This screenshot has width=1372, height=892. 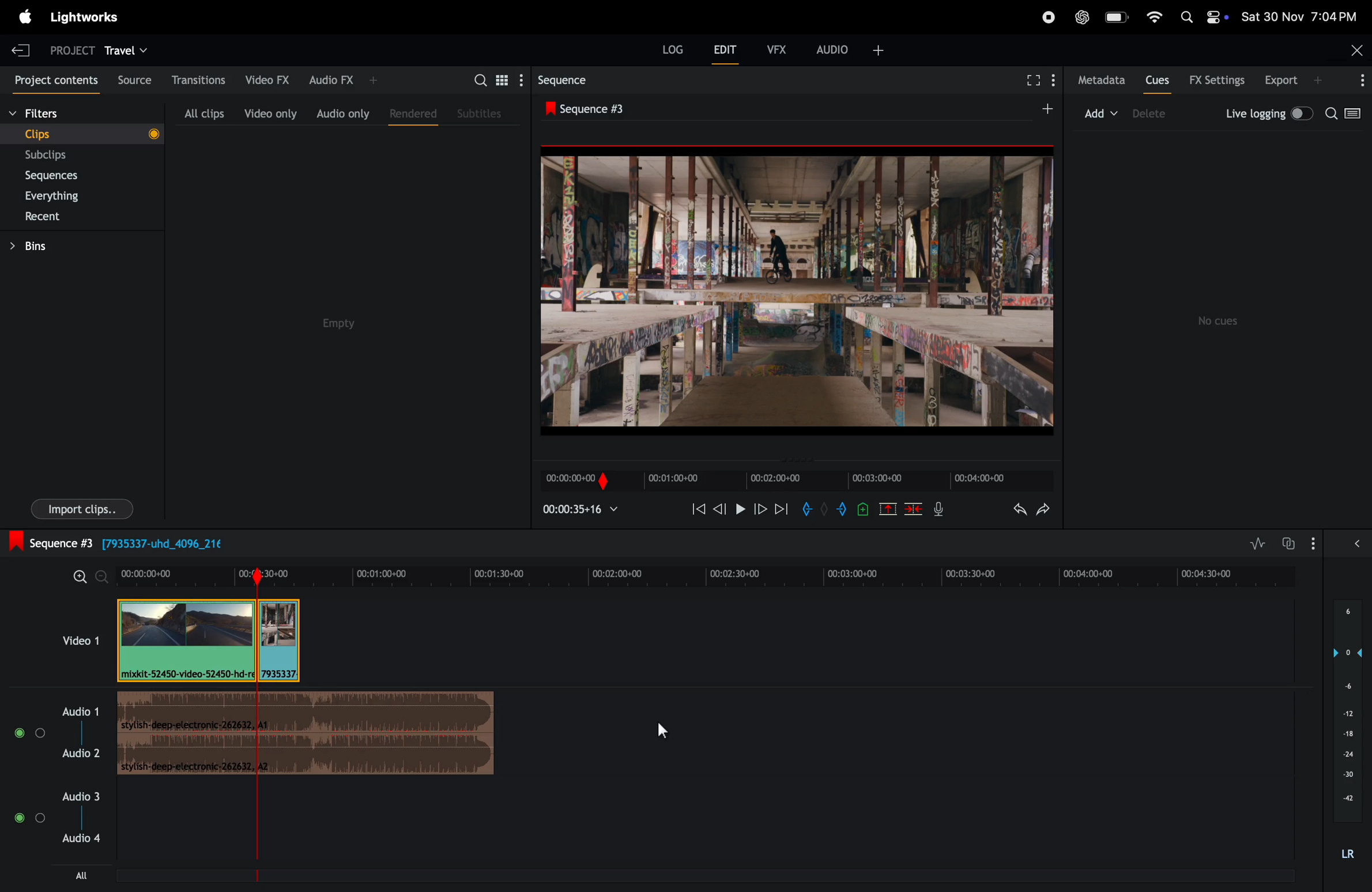 What do you see at coordinates (585, 511) in the screenshot?
I see `00:00:35+16 (playback time)` at bounding box center [585, 511].